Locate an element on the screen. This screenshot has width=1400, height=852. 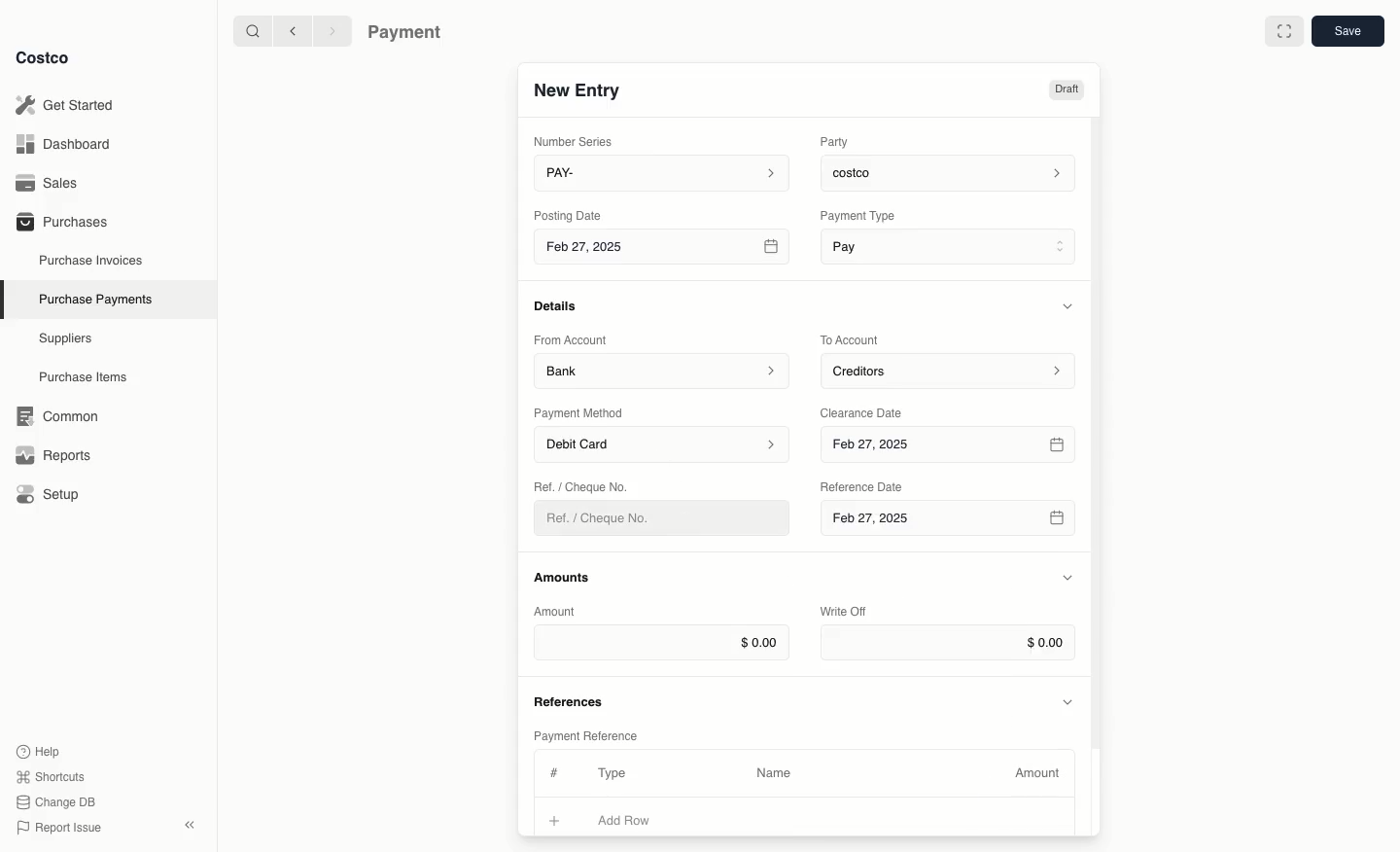
Payment is located at coordinates (409, 34).